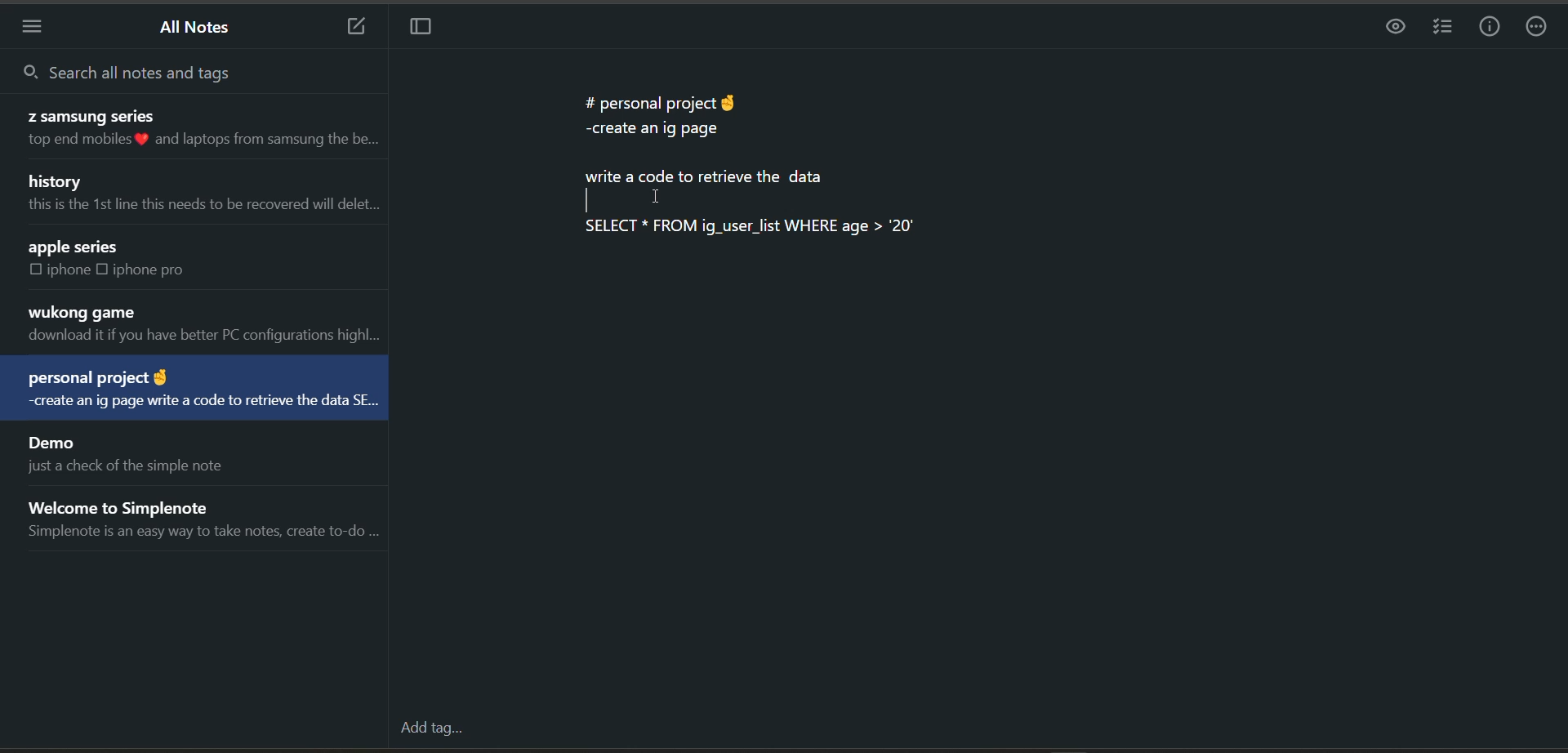 Image resolution: width=1568 pixels, height=753 pixels. What do you see at coordinates (1490, 27) in the screenshot?
I see `info` at bounding box center [1490, 27].